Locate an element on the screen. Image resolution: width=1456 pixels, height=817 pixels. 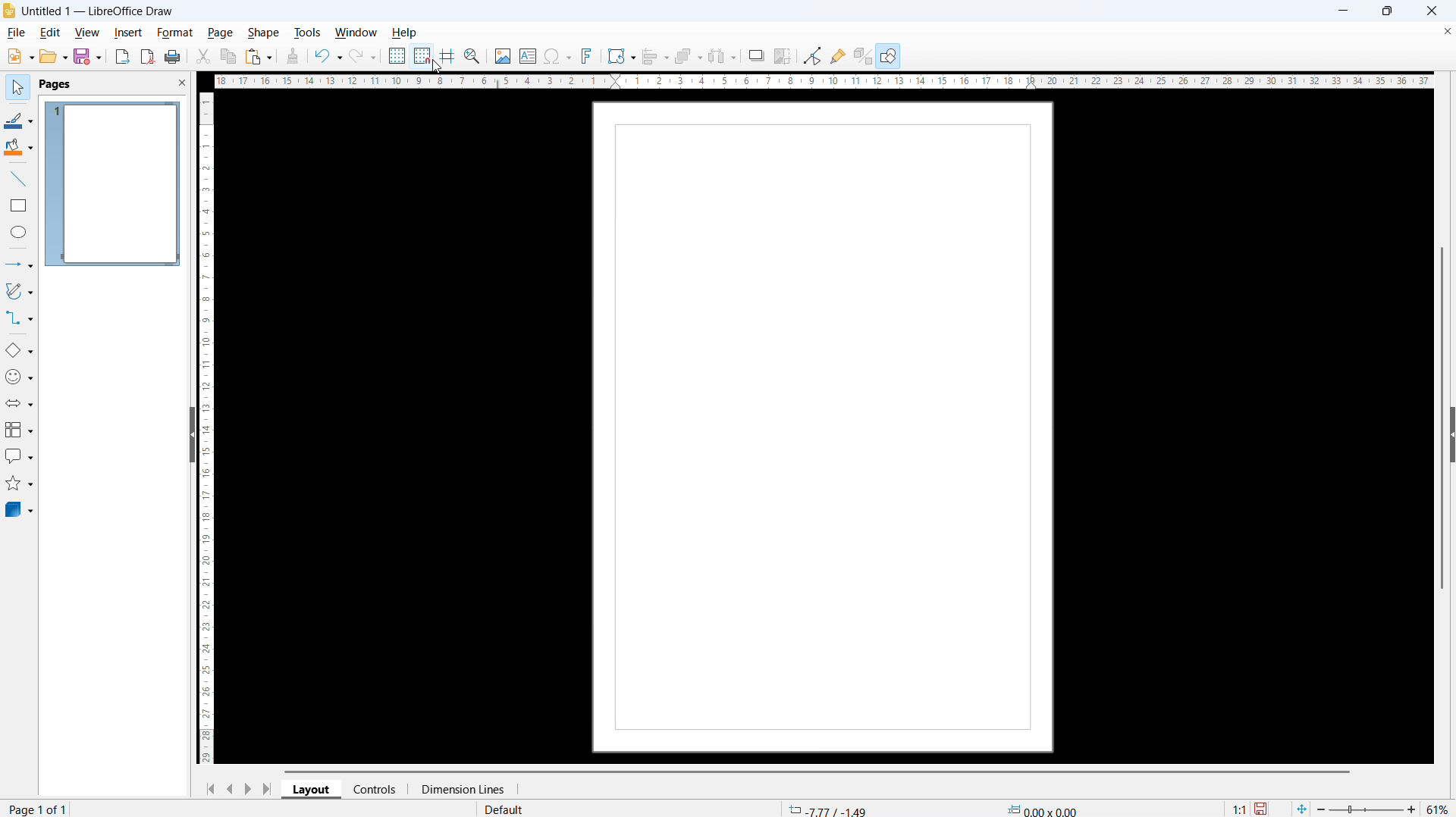
minimise  is located at coordinates (1344, 11).